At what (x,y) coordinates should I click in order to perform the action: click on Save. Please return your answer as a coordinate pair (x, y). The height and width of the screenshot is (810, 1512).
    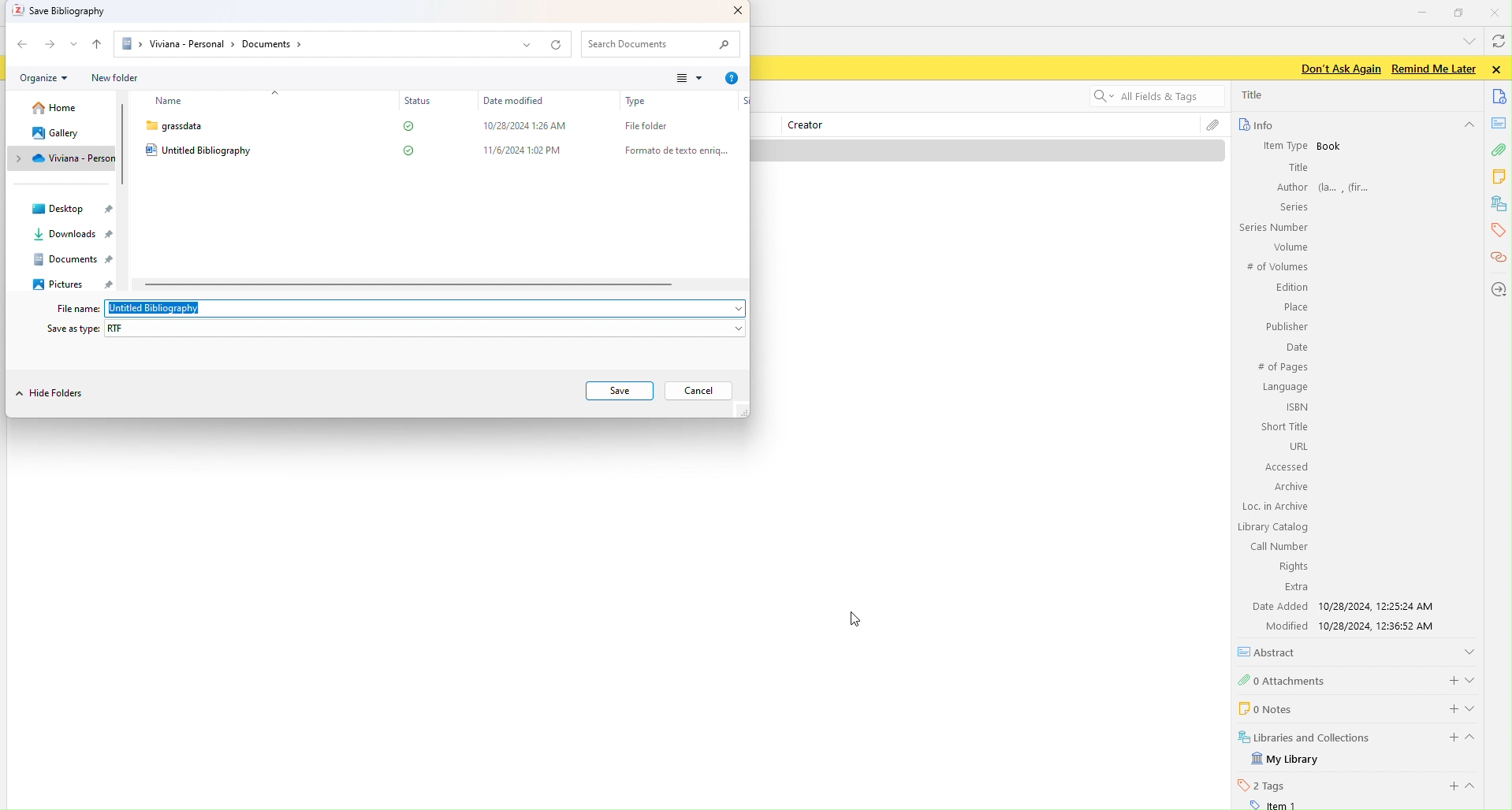
    Looking at the image, I should click on (622, 391).